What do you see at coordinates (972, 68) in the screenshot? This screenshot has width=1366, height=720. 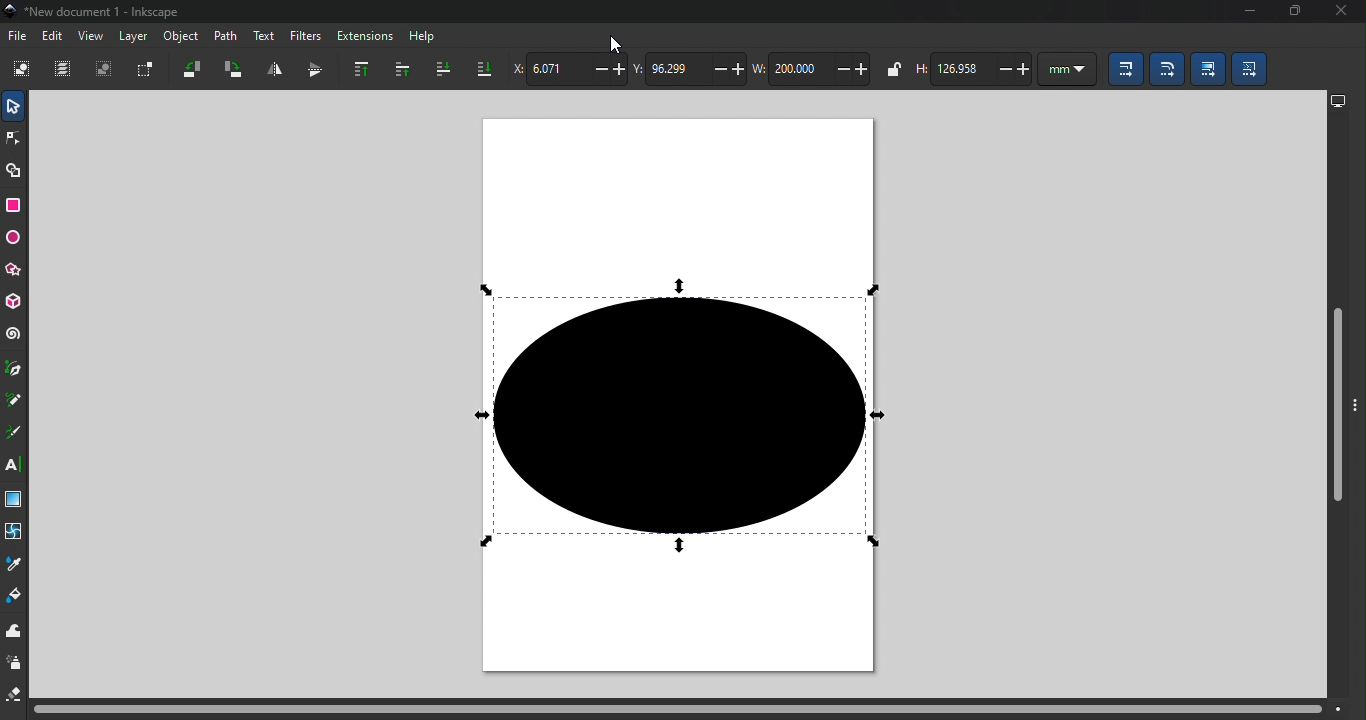 I see `height of selection` at bounding box center [972, 68].